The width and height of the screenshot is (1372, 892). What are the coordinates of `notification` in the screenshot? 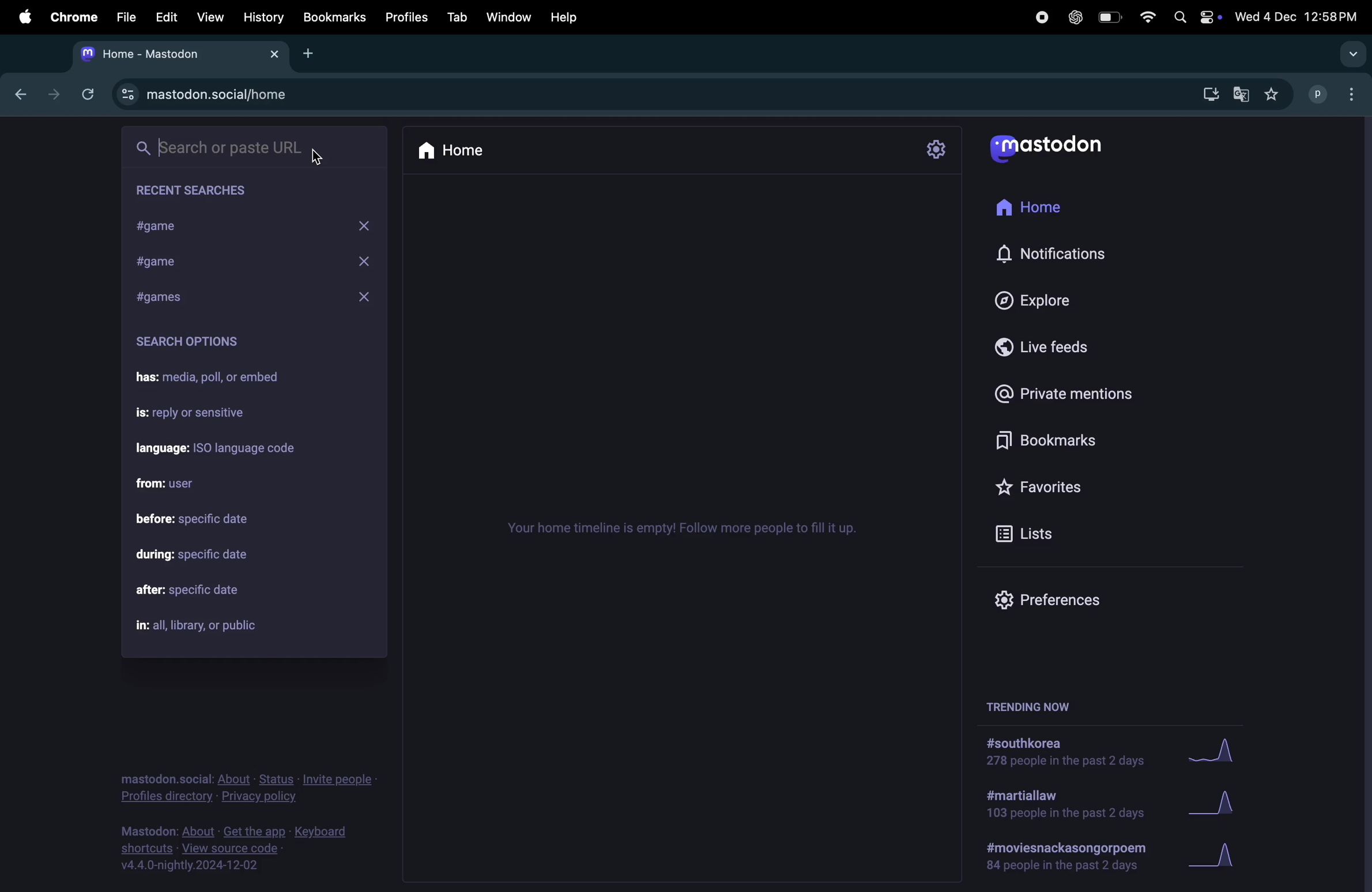 It's located at (1053, 255).